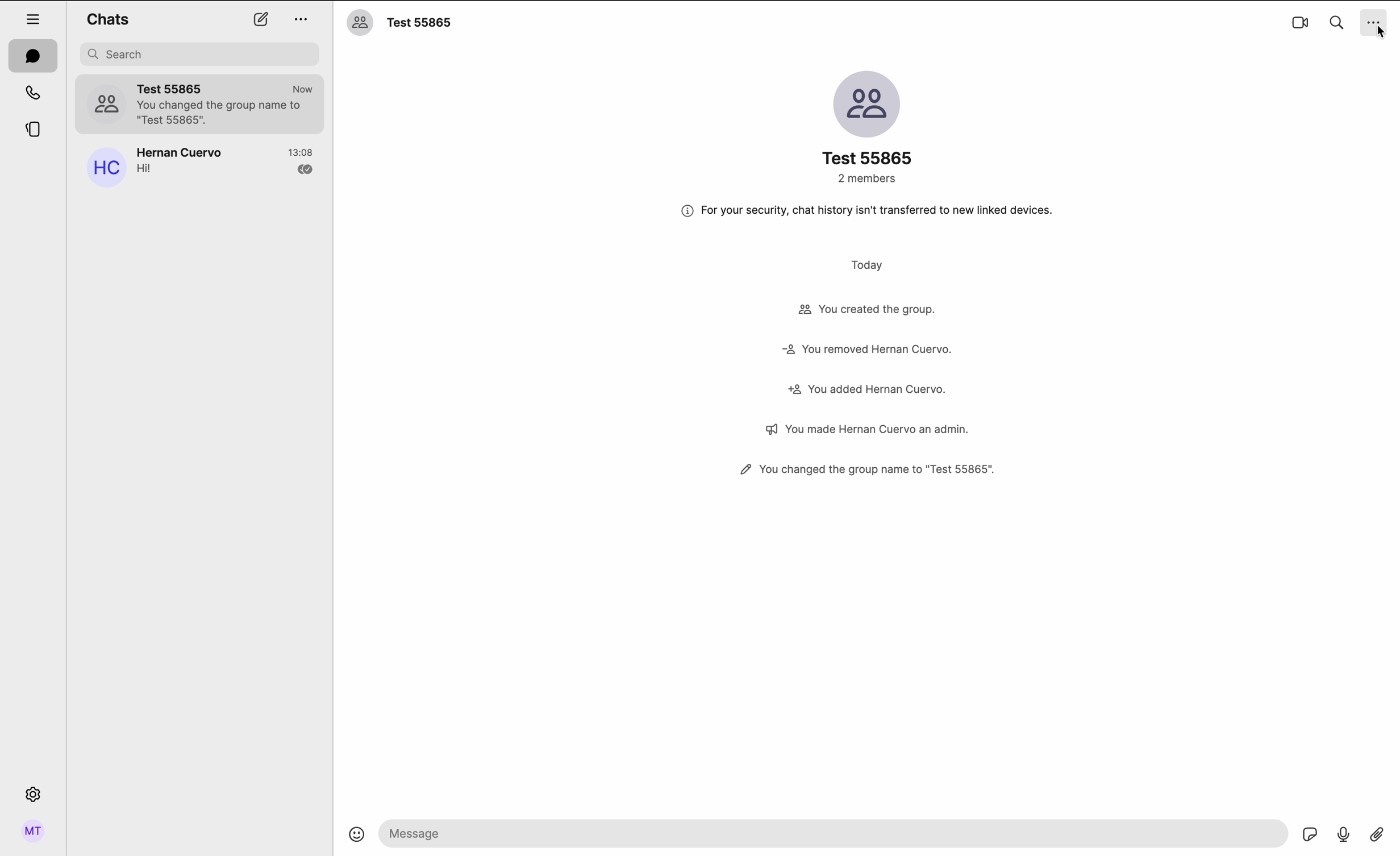 Image resolution: width=1400 pixels, height=856 pixels. Describe the element at coordinates (1338, 23) in the screenshot. I see `search` at that location.